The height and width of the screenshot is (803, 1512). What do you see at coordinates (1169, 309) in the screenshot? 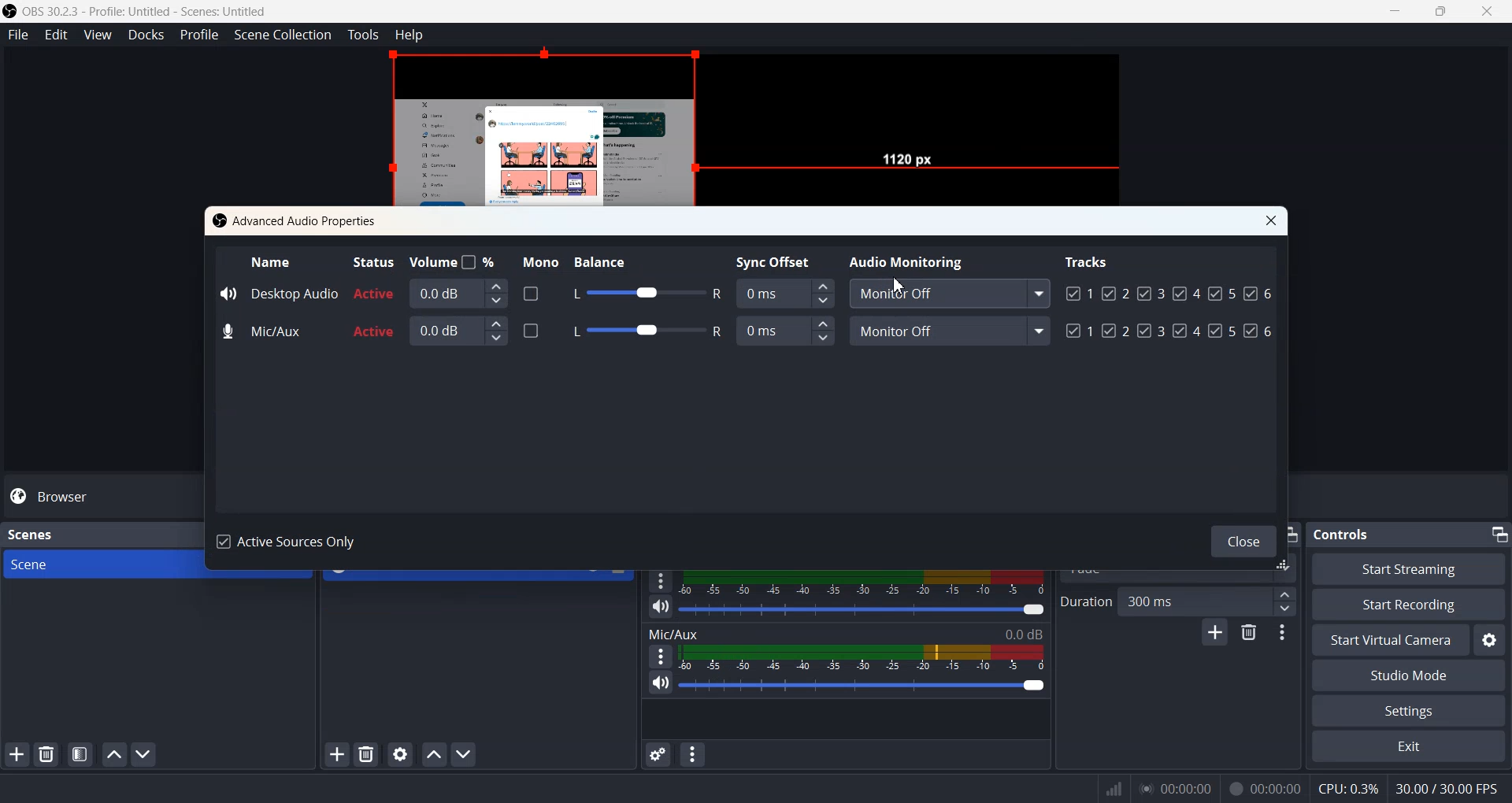
I see `Tracks Enabled` at bounding box center [1169, 309].